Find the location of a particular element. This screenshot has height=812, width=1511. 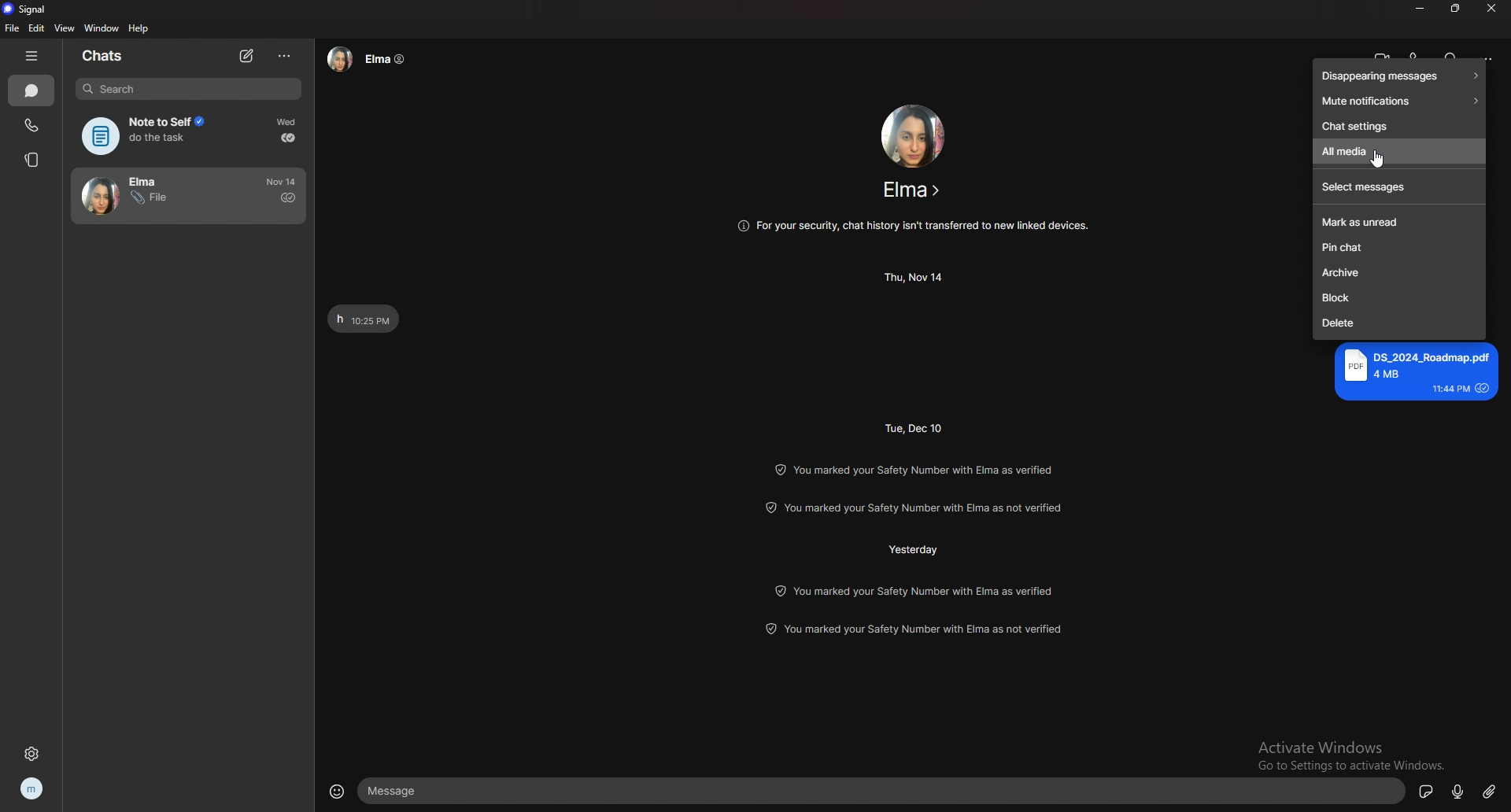

search is located at coordinates (189, 89).